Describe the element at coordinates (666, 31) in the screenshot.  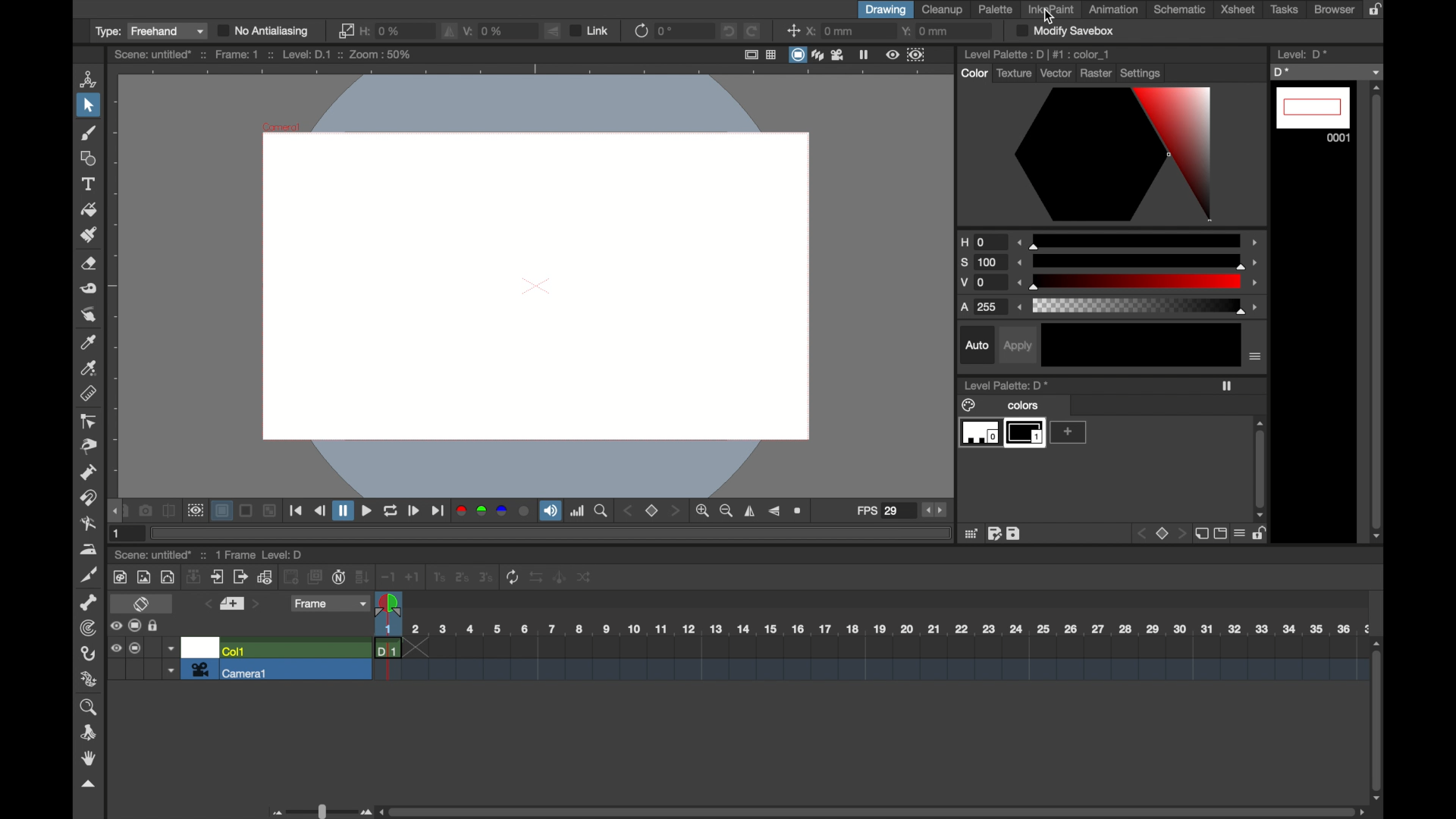
I see `0` at that location.